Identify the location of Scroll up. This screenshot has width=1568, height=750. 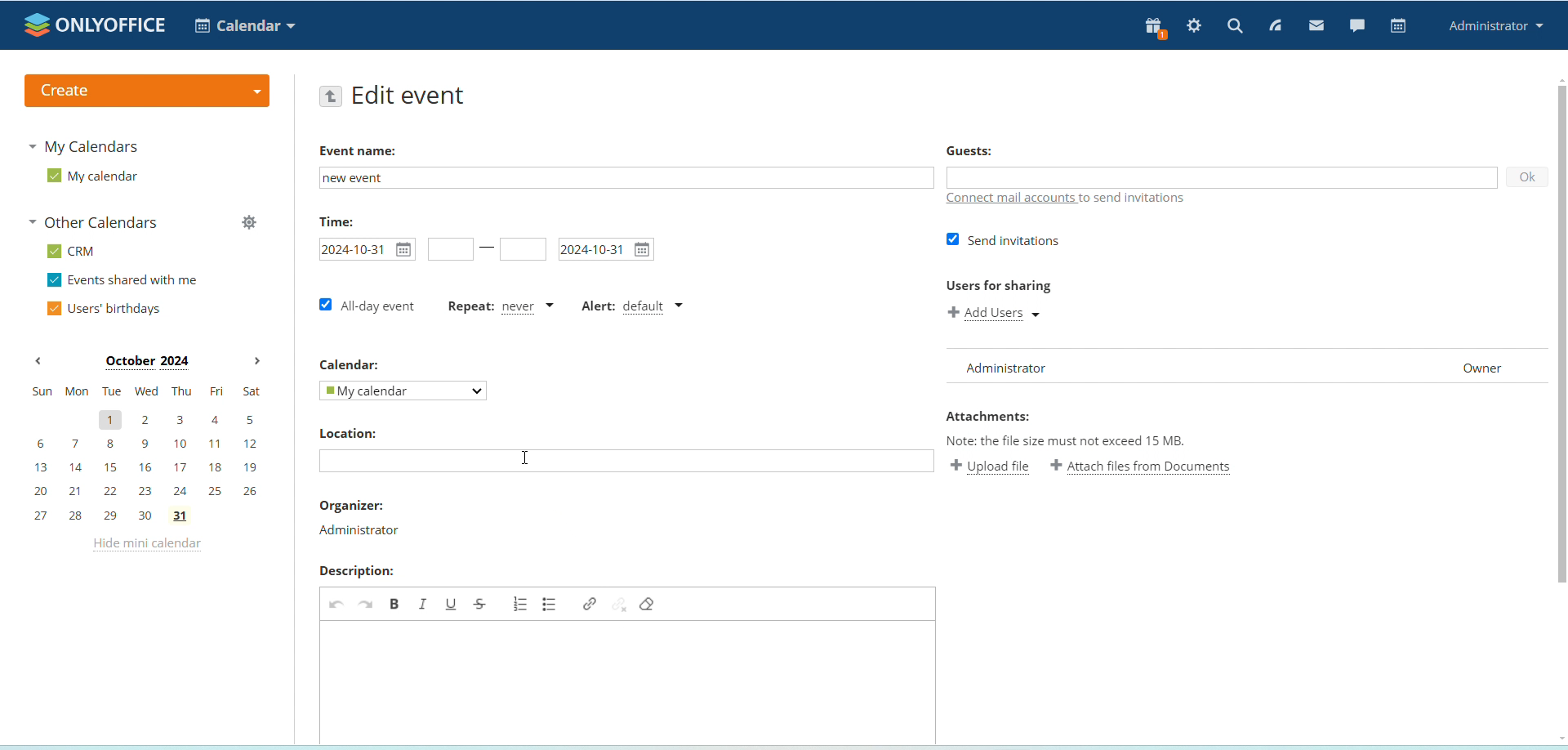
(1558, 78).